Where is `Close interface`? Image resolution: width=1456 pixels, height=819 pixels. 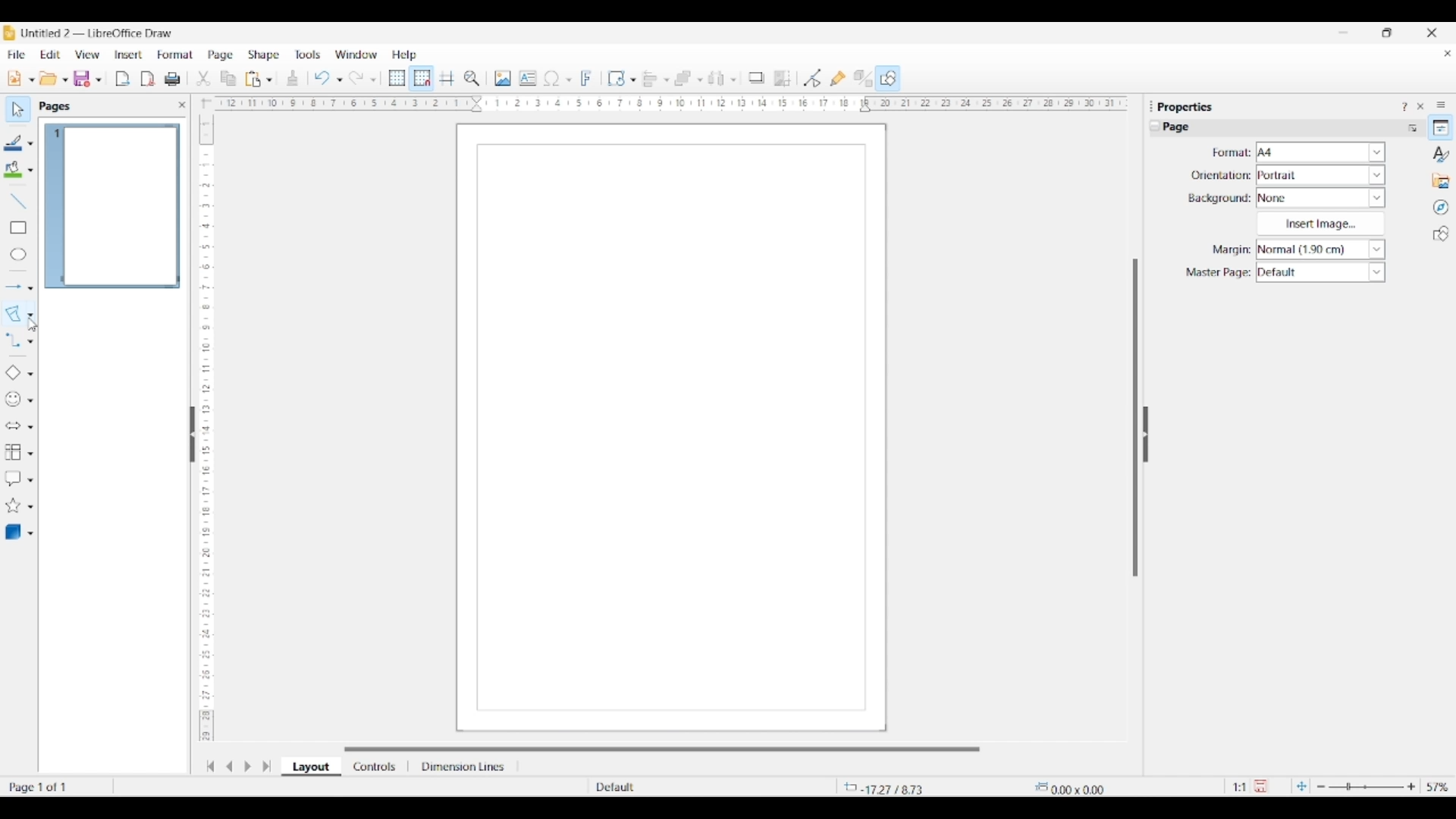 Close interface is located at coordinates (1432, 33).